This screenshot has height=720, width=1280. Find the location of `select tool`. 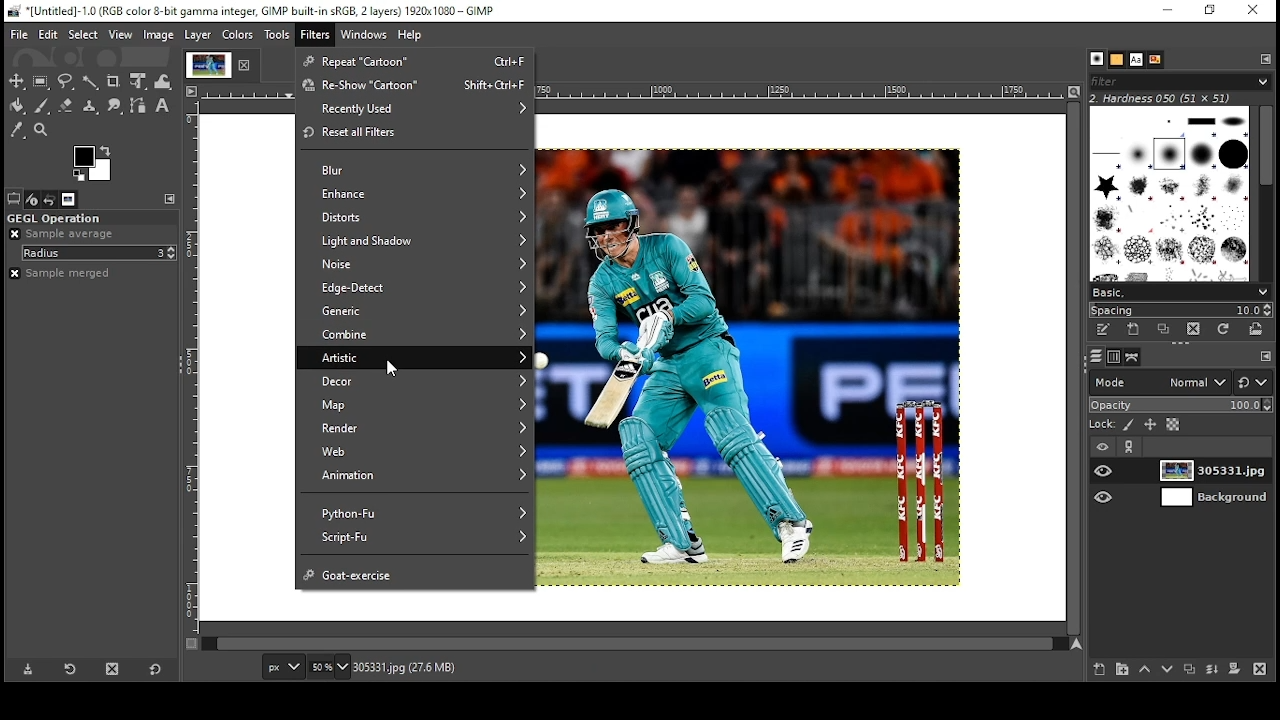

select tool is located at coordinates (17, 81).